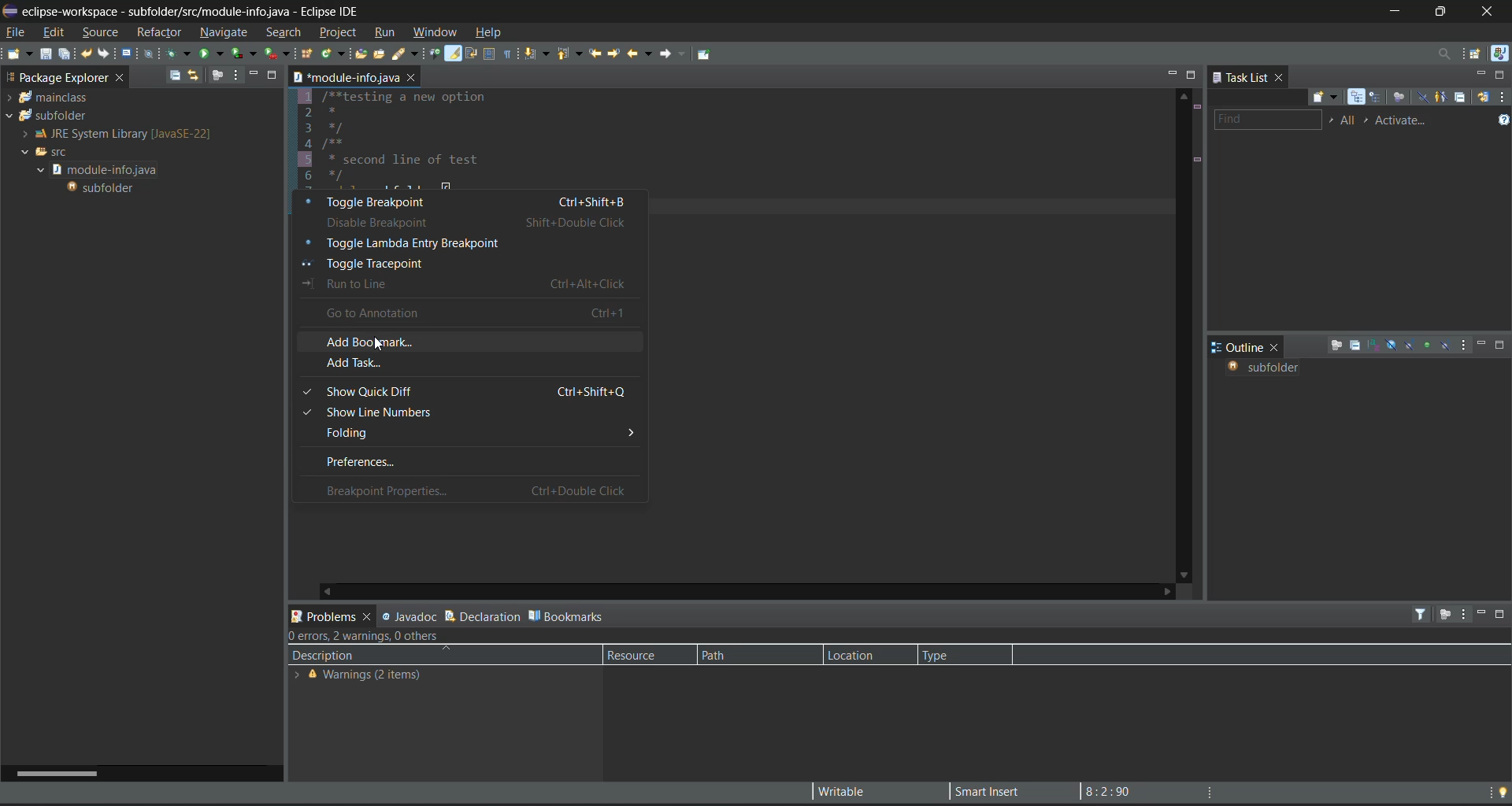  Describe the element at coordinates (489, 54) in the screenshot. I see `toggle block selection mode ` at that location.